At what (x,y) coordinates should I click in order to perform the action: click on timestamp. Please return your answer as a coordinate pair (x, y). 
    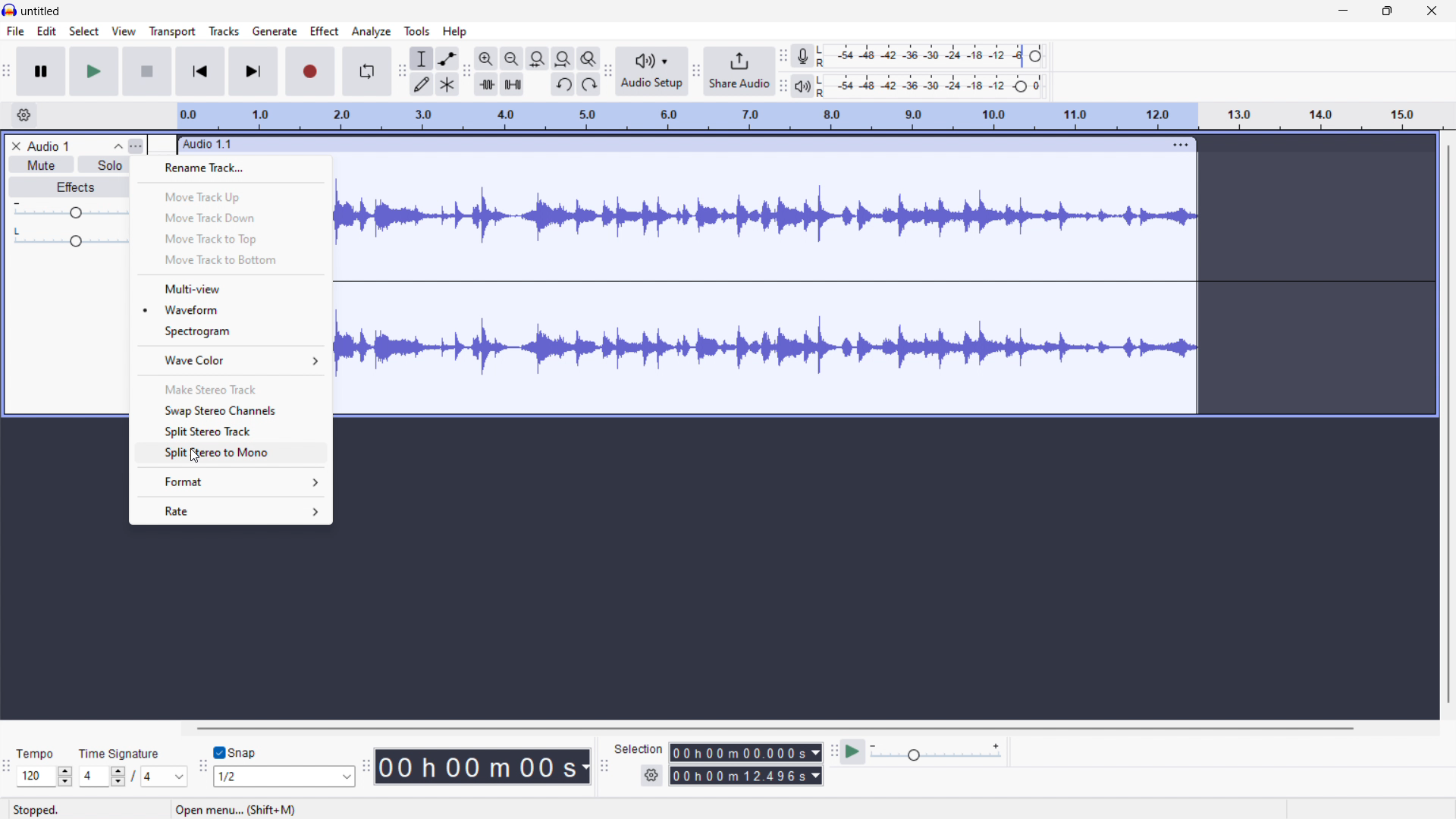
    Looking at the image, I should click on (484, 767).